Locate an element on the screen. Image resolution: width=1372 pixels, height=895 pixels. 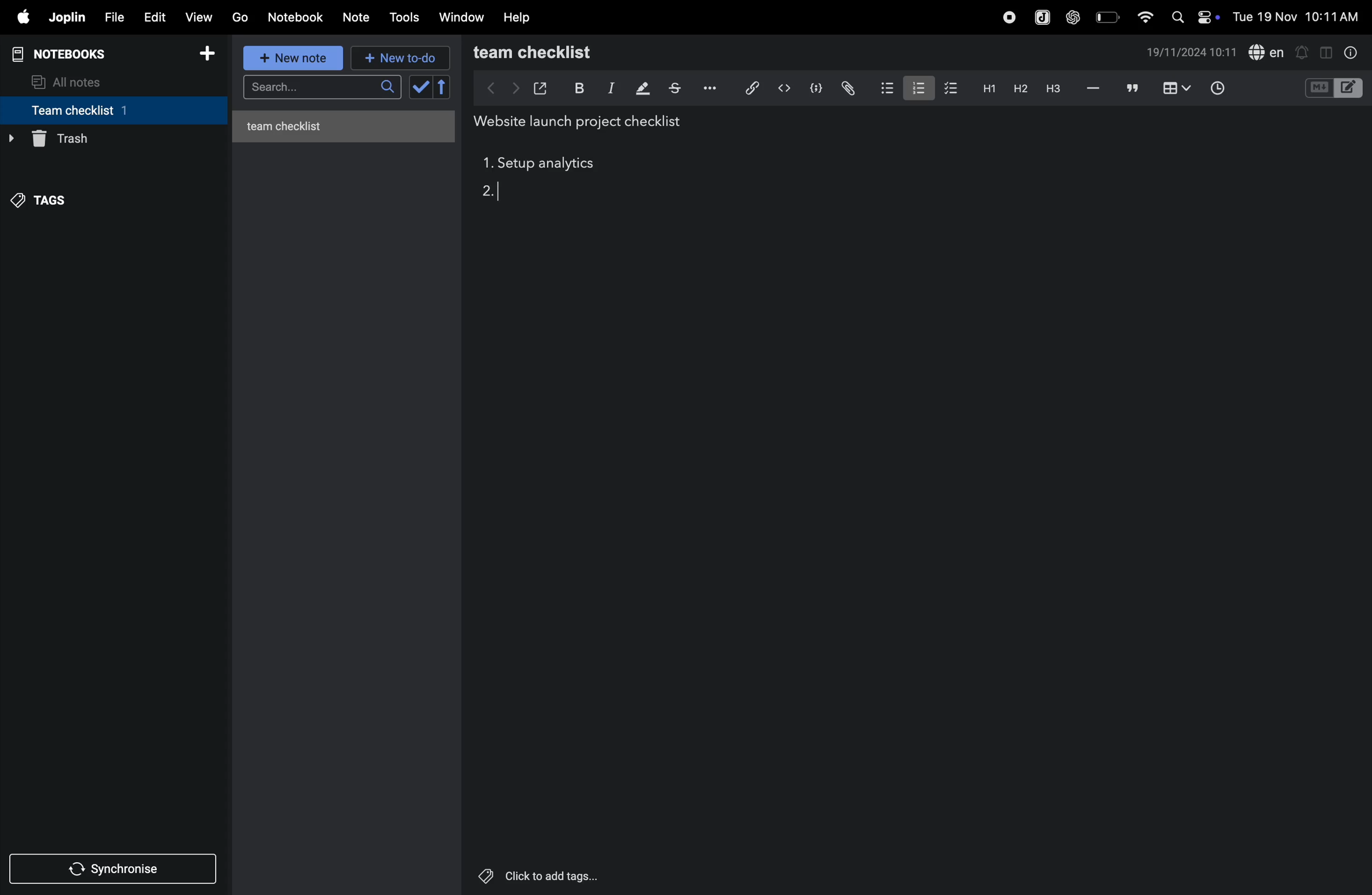
Typing cursor is located at coordinates (502, 191).